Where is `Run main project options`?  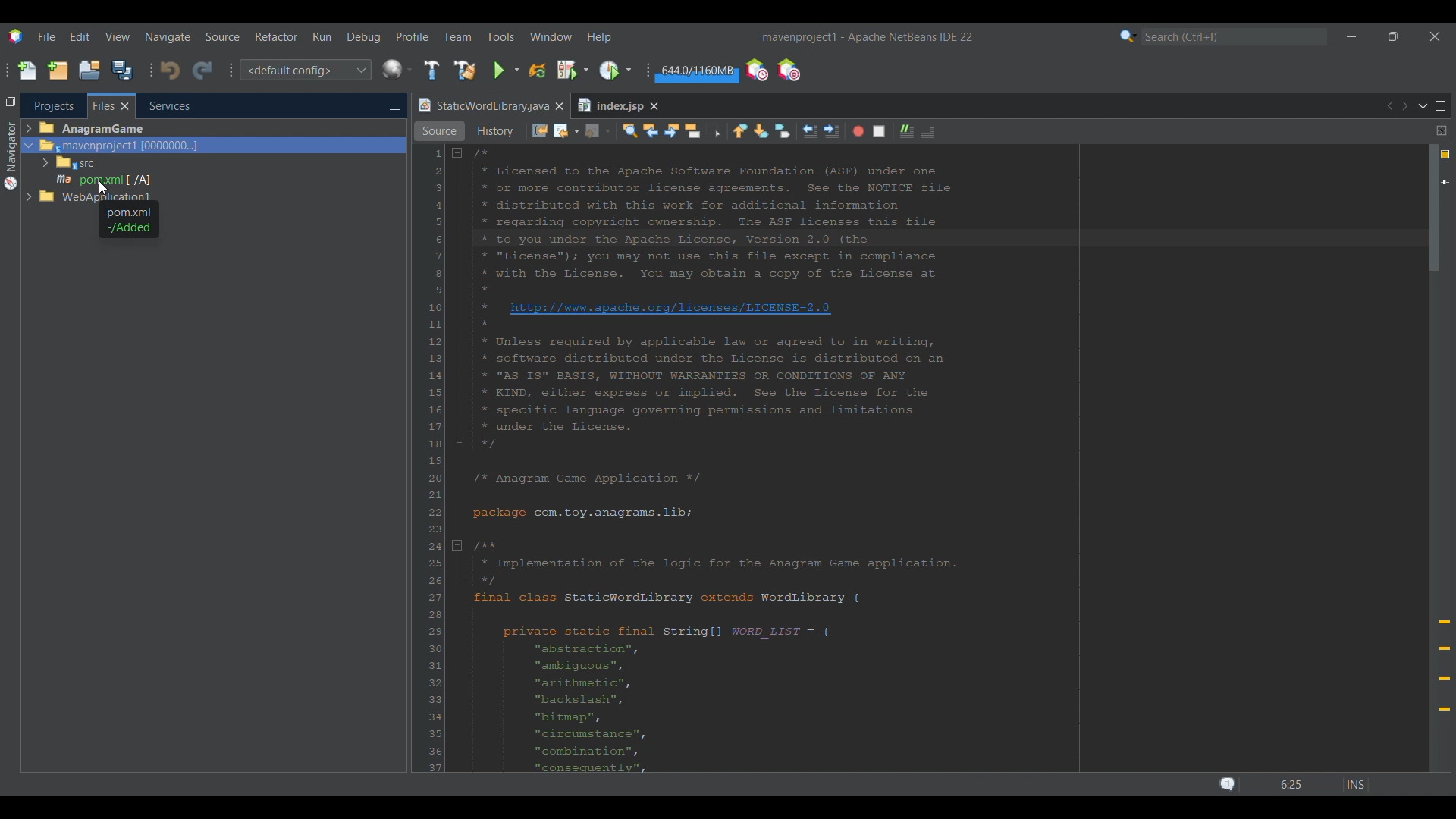 Run main project options is located at coordinates (507, 71).